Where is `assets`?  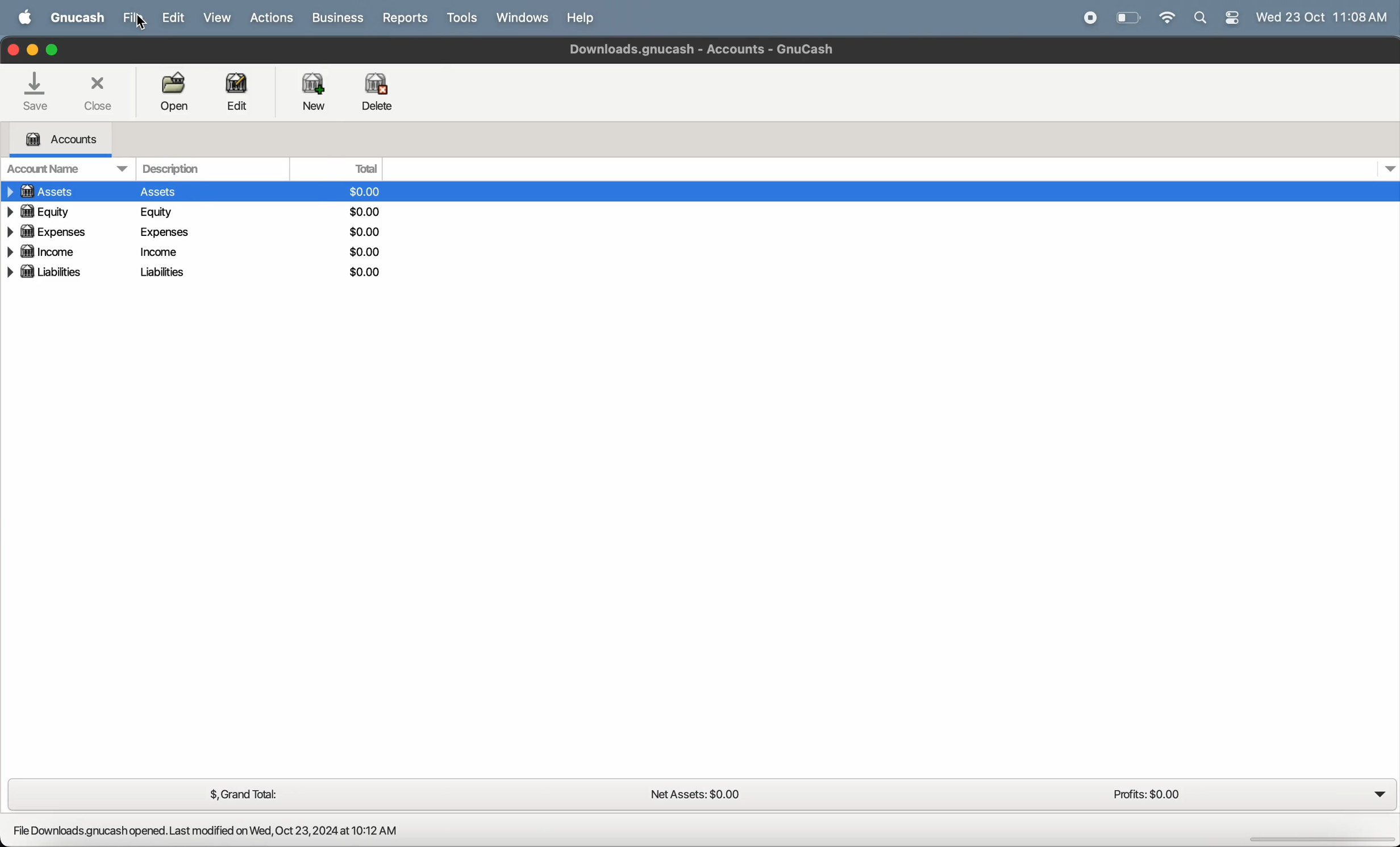
assets is located at coordinates (49, 191).